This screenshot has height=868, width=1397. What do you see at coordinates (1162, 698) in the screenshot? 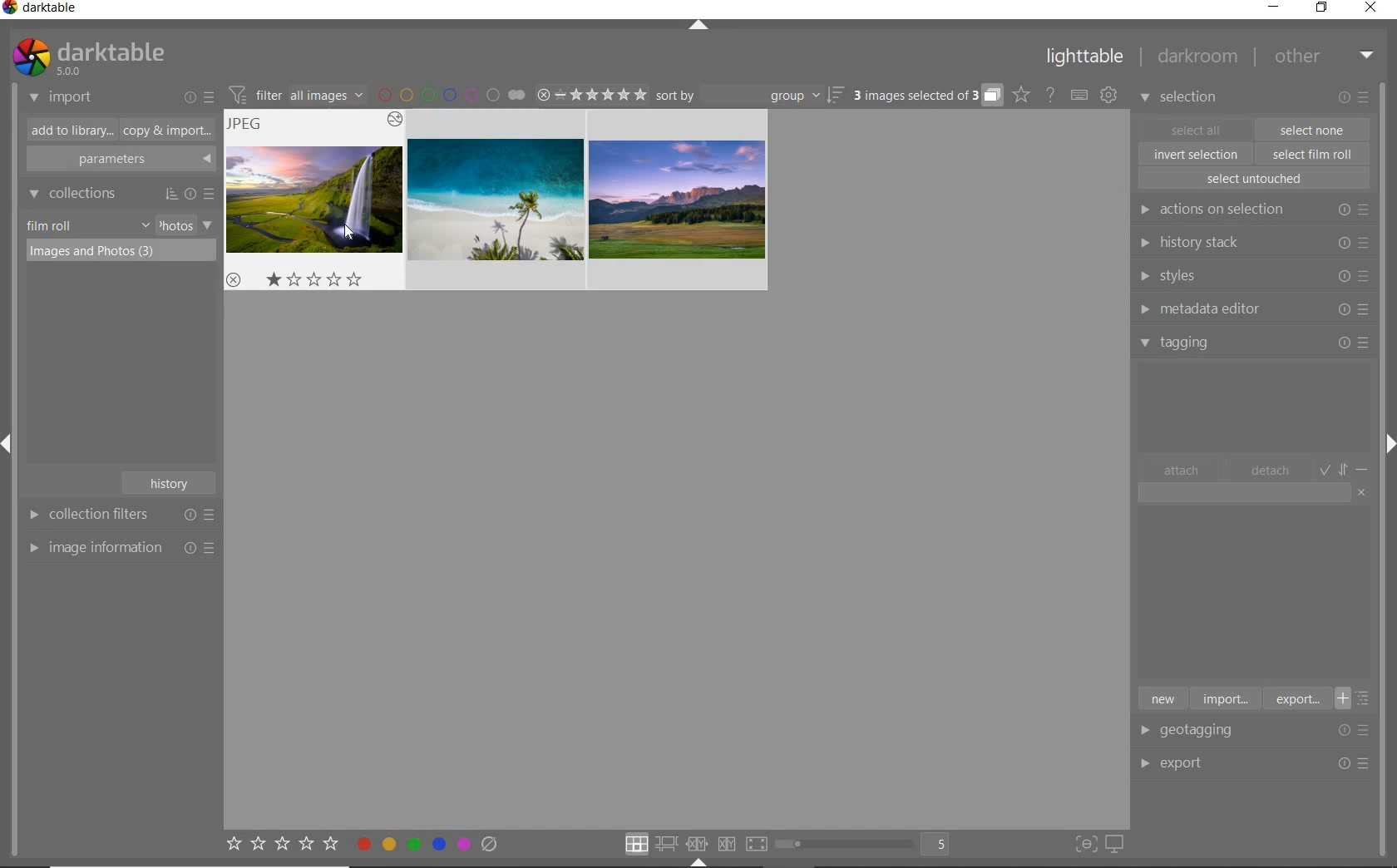
I see `new` at bounding box center [1162, 698].